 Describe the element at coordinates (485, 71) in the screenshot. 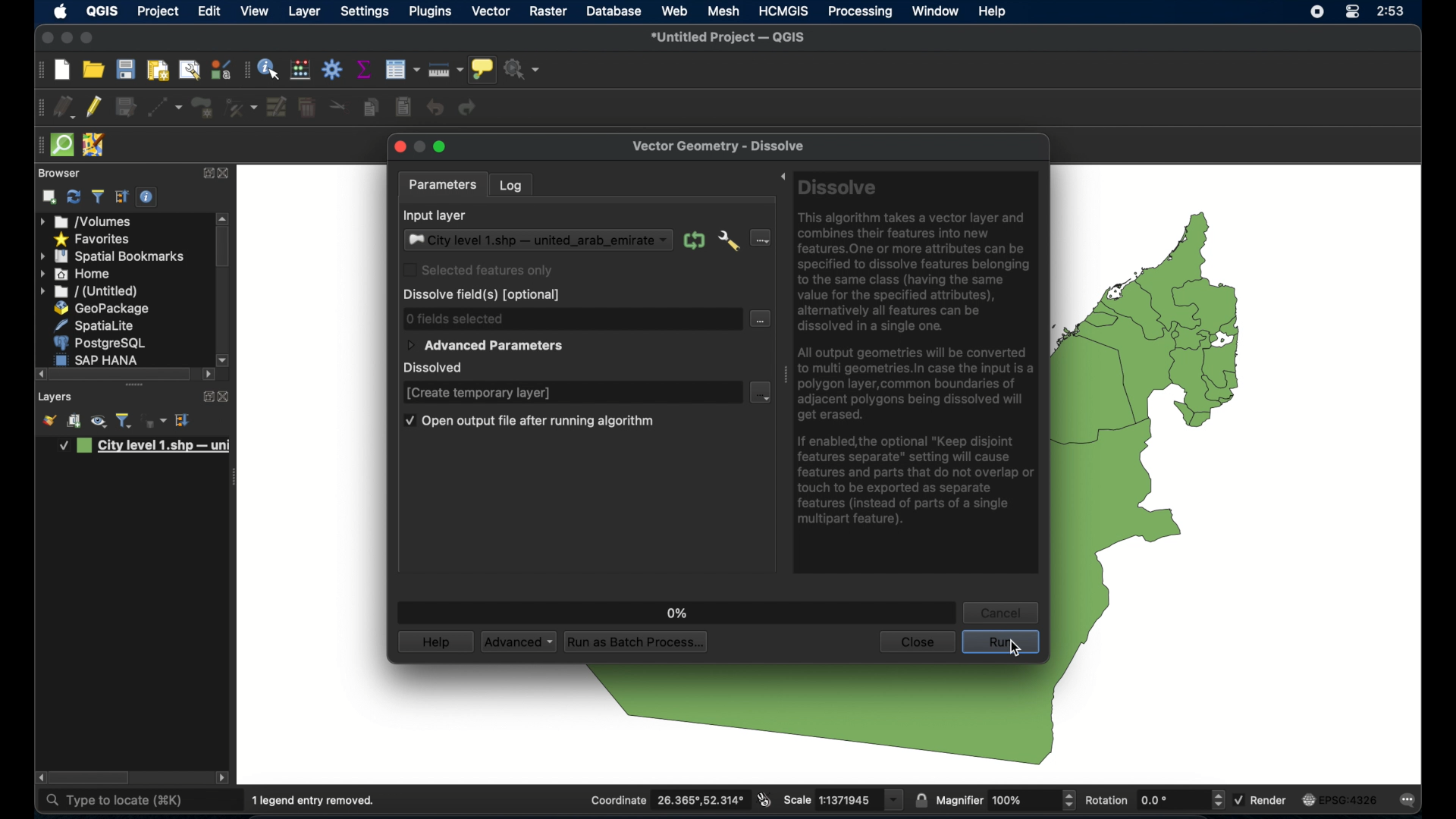

I see `show map tips` at that location.